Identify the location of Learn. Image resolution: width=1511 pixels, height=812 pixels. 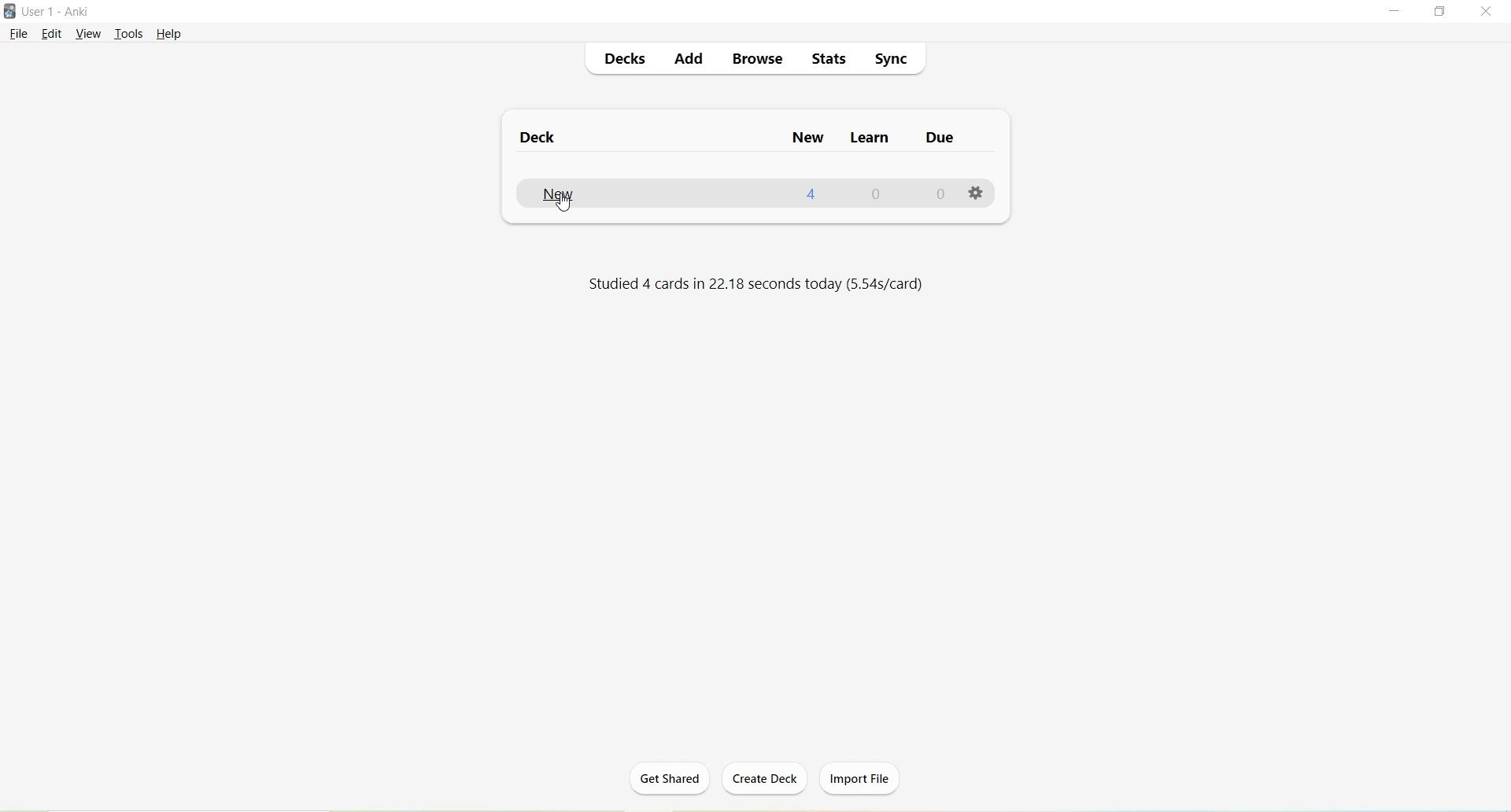
(870, 138).